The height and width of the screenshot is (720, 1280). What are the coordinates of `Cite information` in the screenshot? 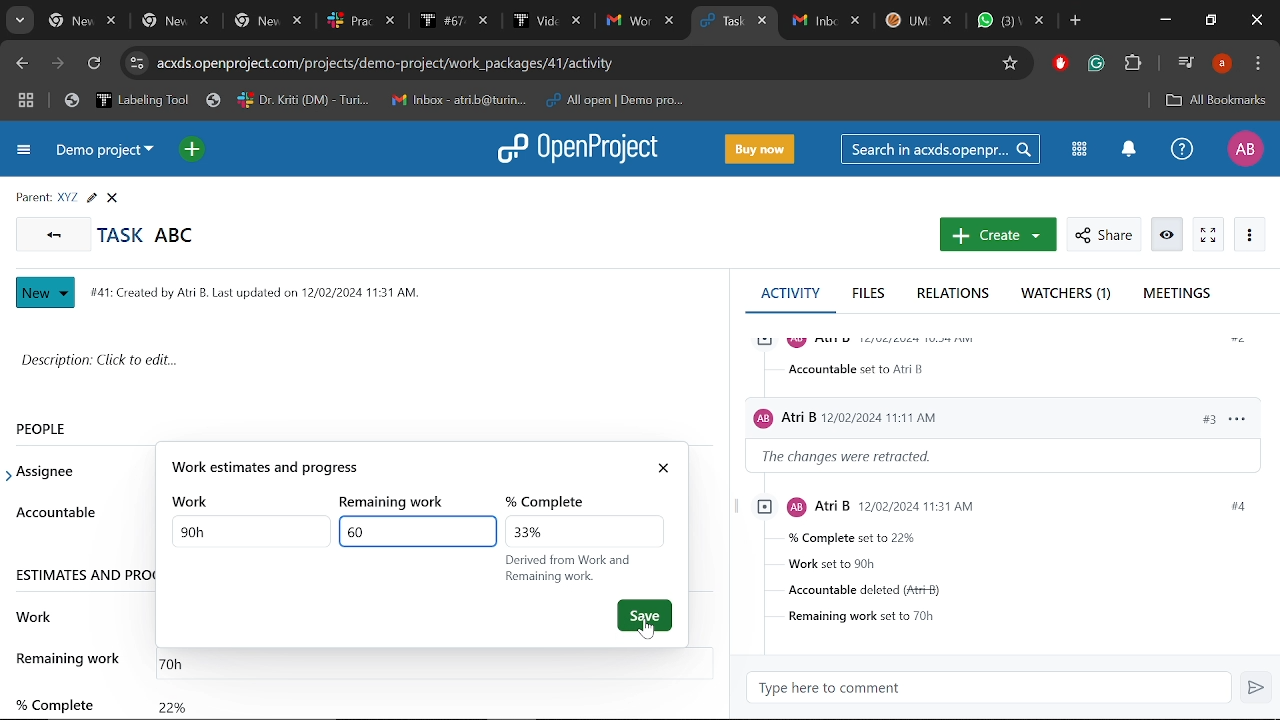 It's located at (136, 63).